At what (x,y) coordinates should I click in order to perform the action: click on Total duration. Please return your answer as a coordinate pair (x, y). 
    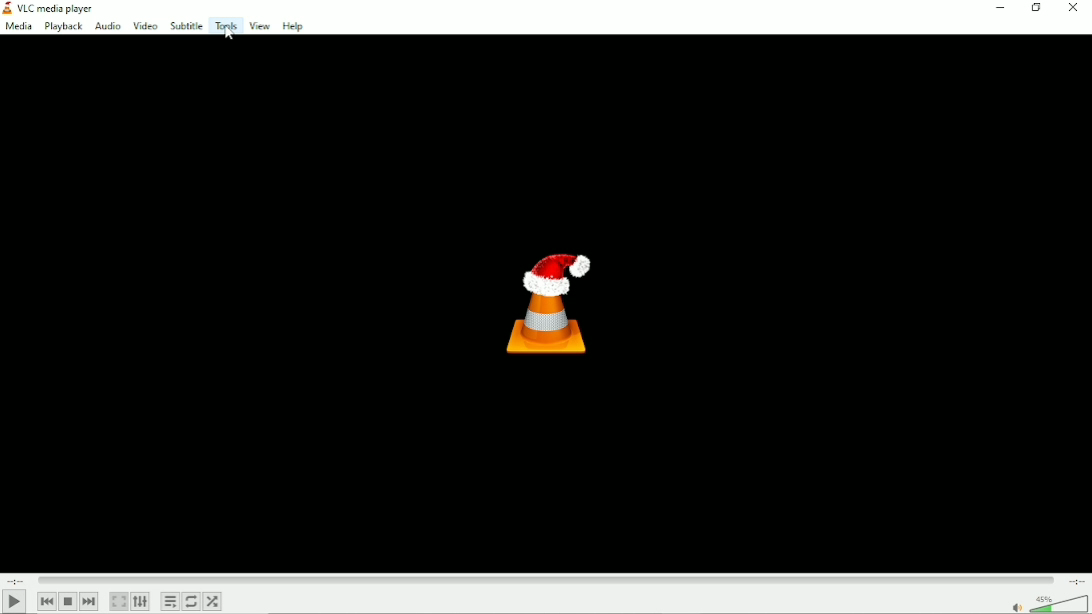
    Looking at the image, I should click on (1077, 580).